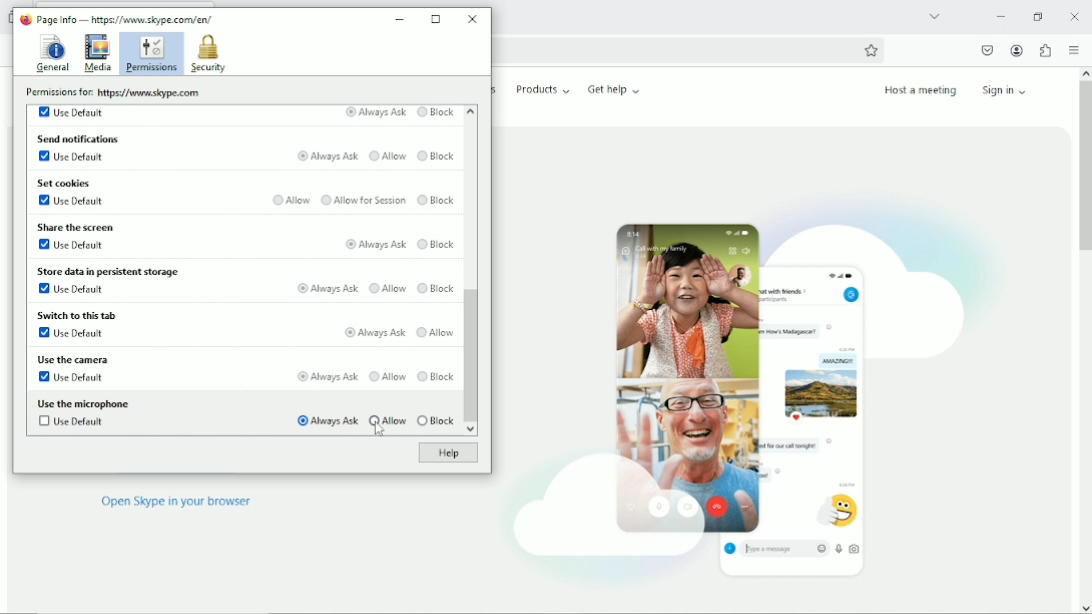 The width and height of the screenshot is (1092, 614). Describe the element at coordinates (66, 183) in the screenshot. I see `Set cookies` at that location.